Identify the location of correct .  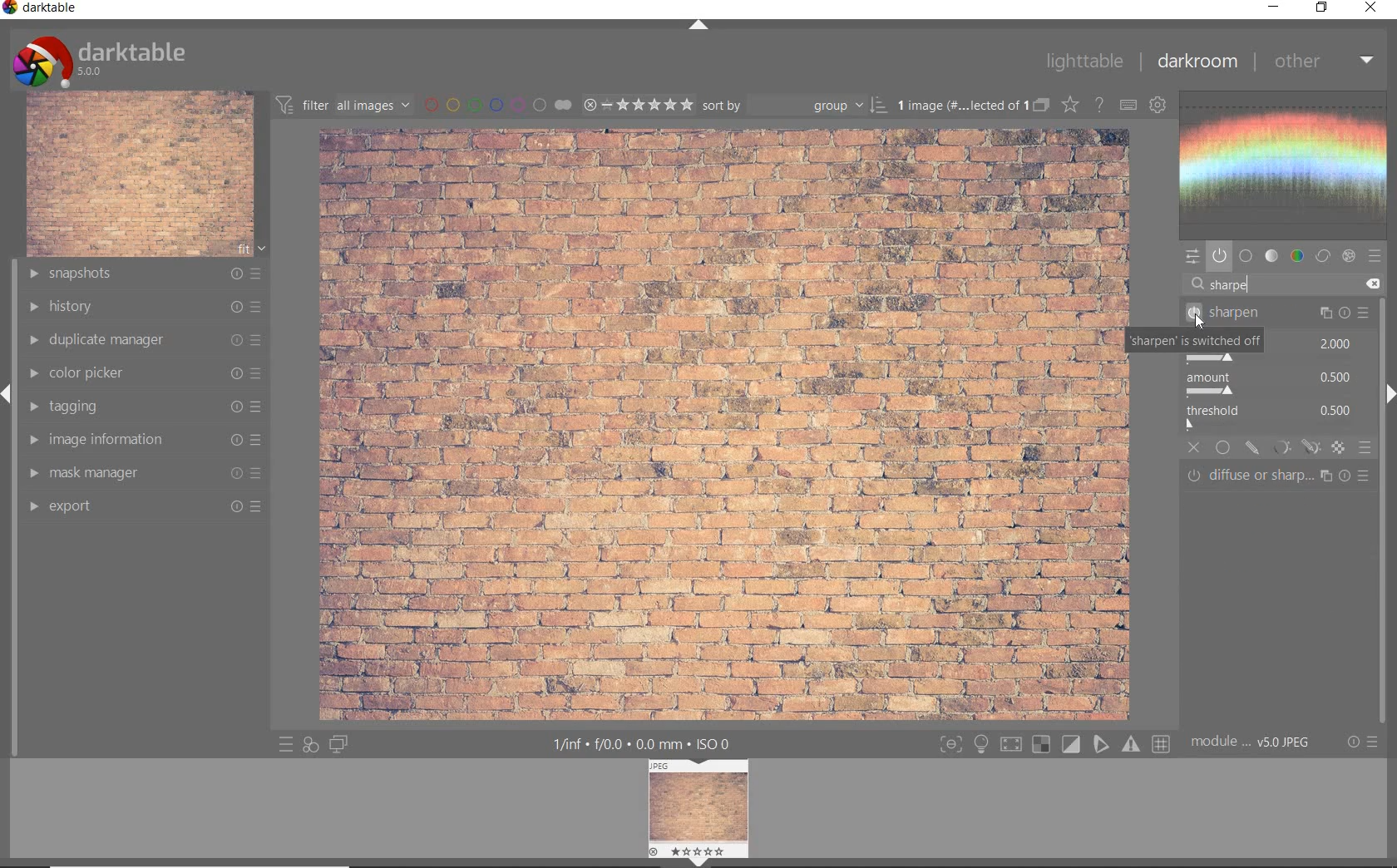
(1323, 256).